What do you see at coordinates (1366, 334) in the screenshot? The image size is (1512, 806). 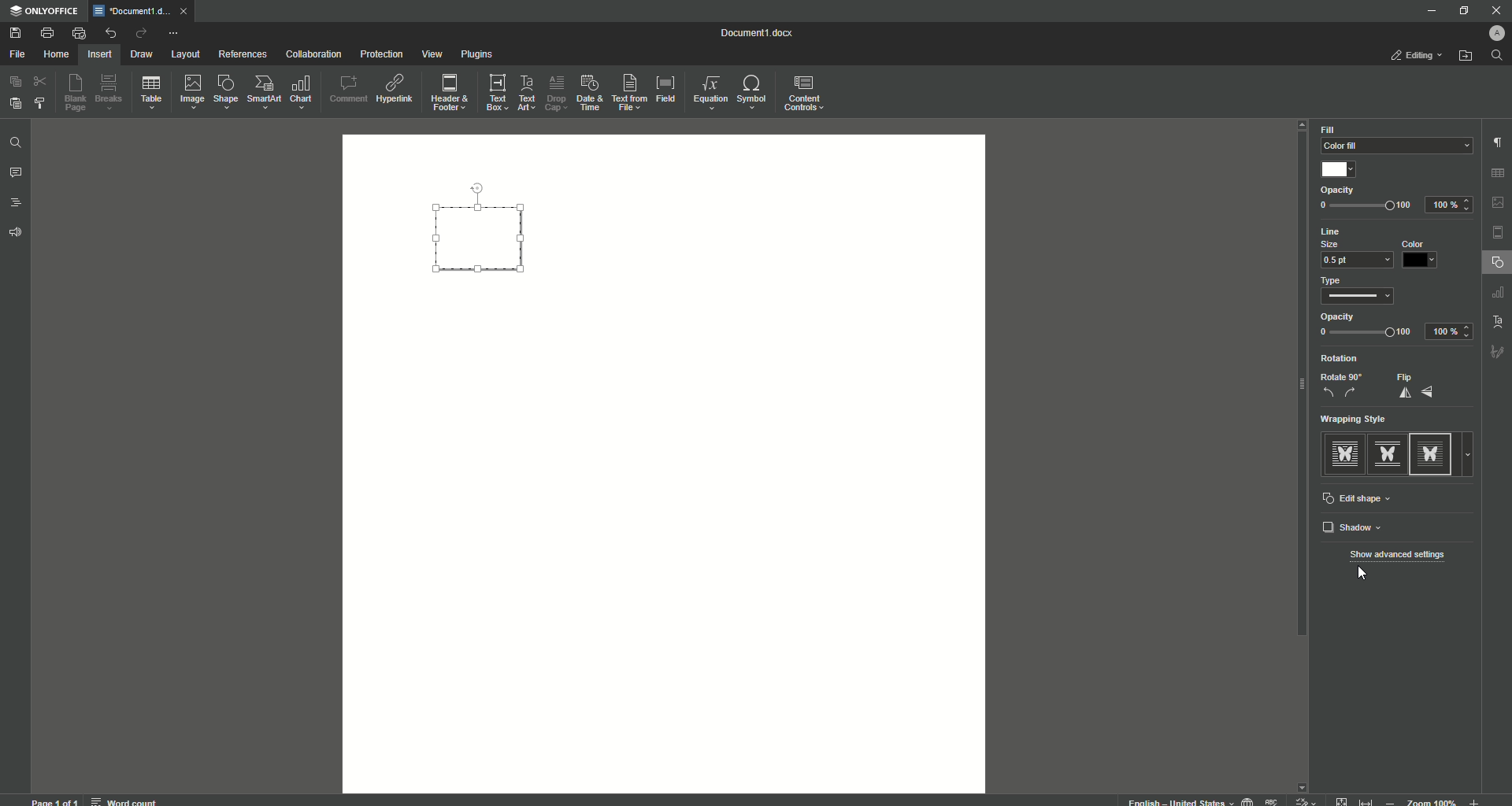 I see `choose 0 to 100` at bounding box center [1366, 334].